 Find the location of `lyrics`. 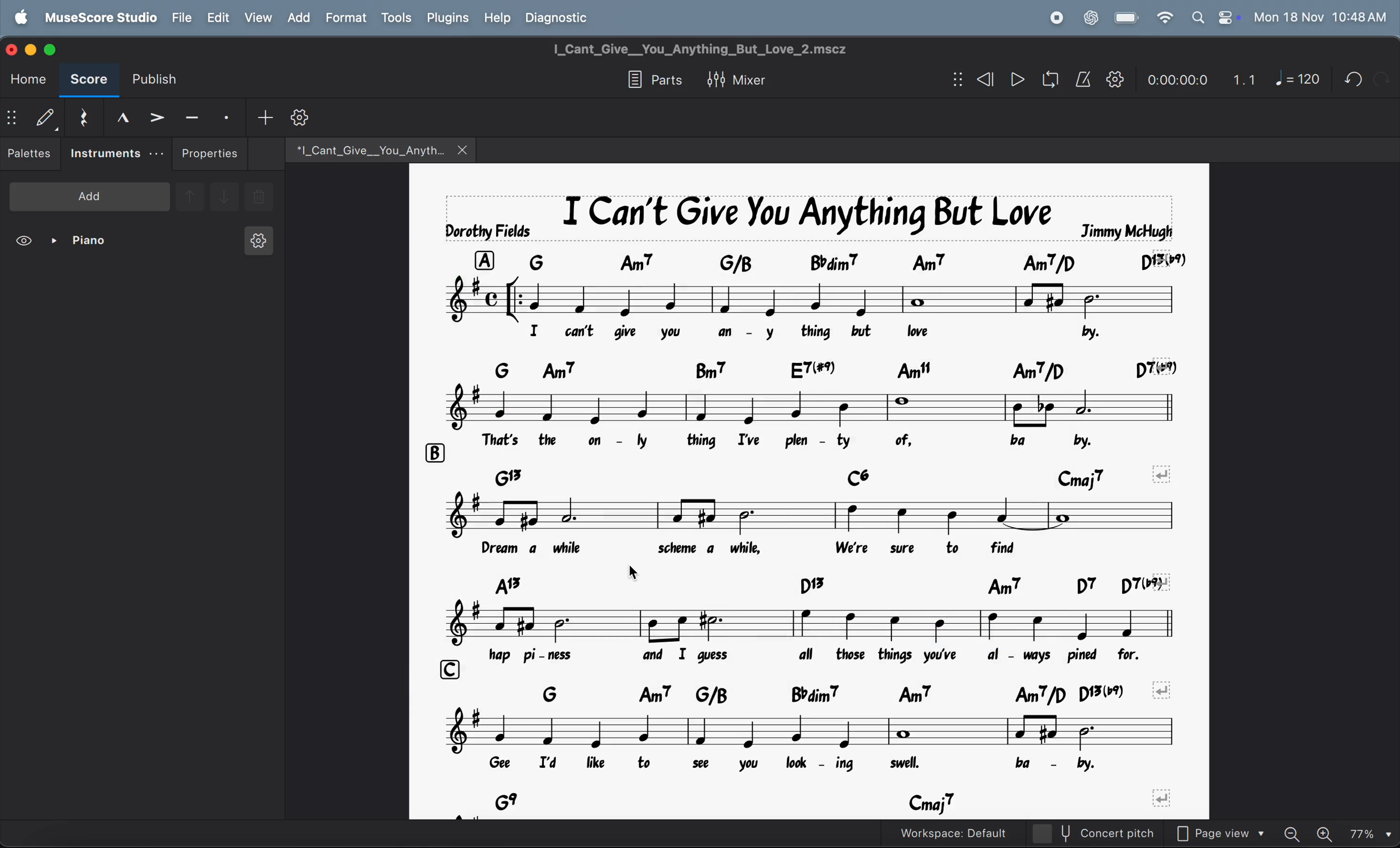

lyrics is located at coordinates (803, 548).